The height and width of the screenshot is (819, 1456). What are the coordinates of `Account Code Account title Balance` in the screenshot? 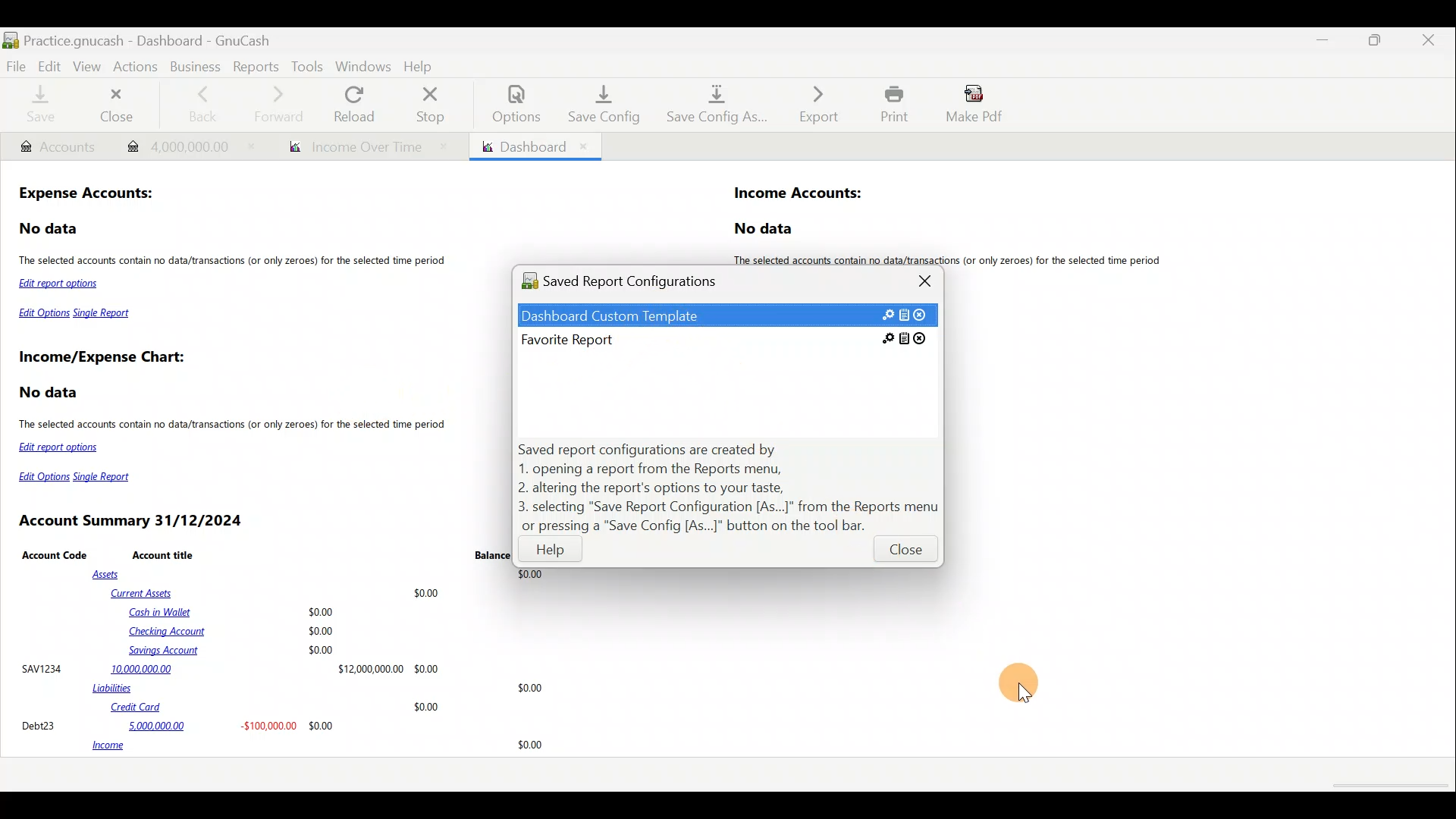 It's located at (266, 554).